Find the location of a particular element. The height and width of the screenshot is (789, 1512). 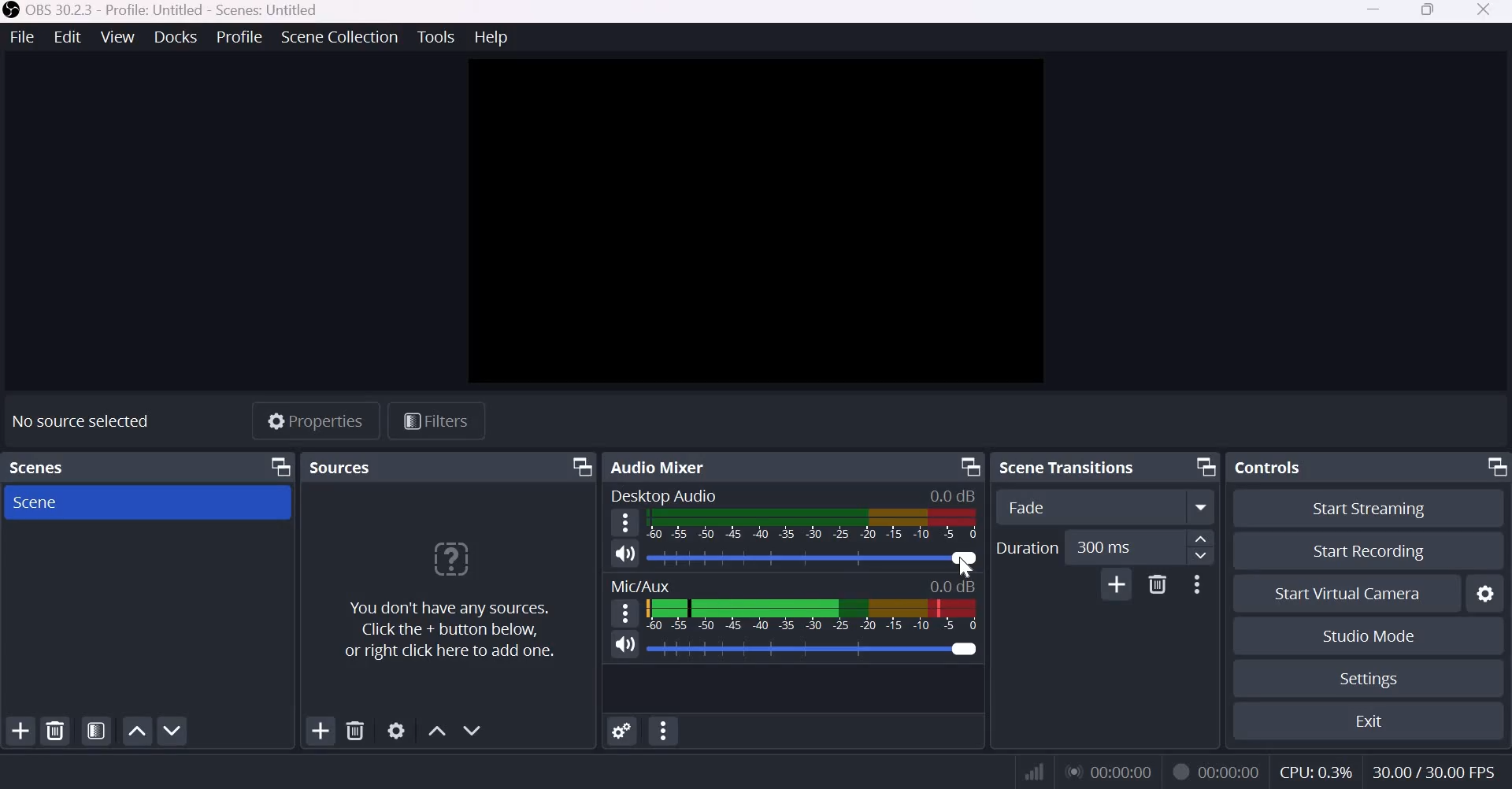

canvas is located at coordinates (758, 222).